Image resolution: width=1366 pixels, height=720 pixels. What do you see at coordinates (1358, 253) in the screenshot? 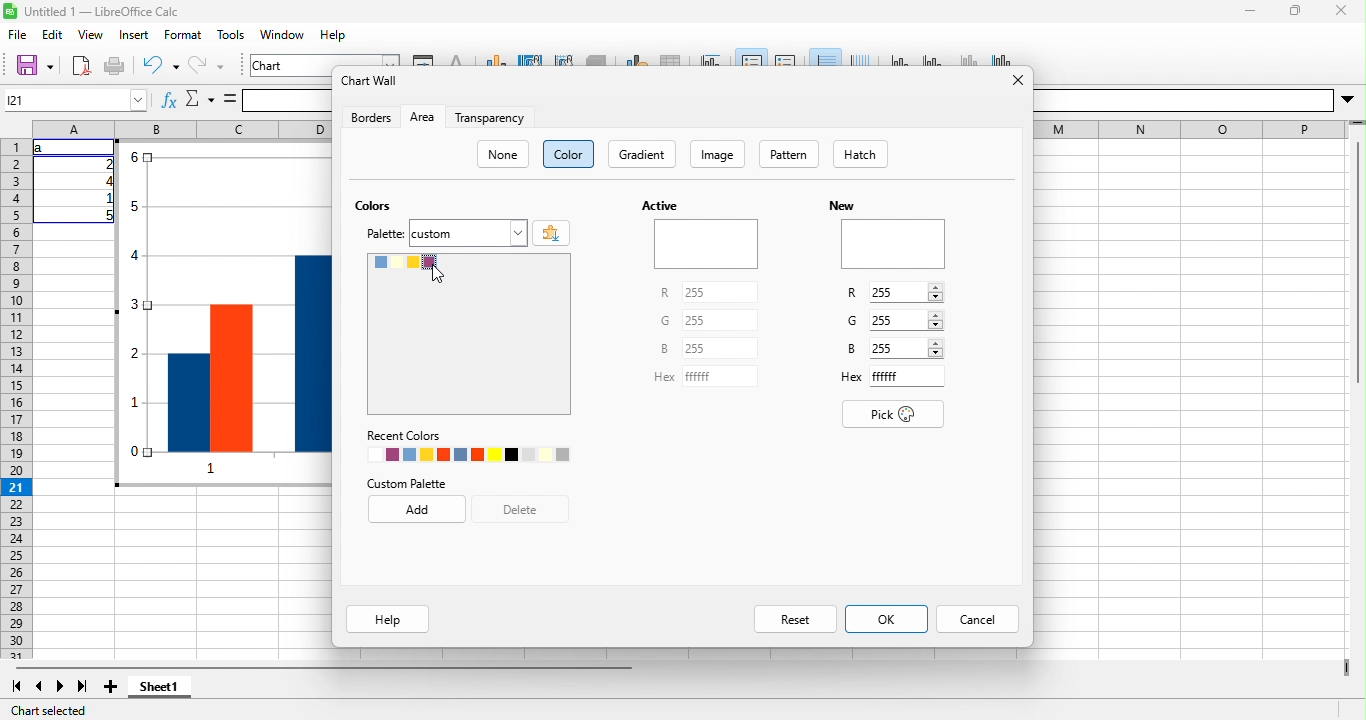
I see `Vertical slide bar` at bounding box center [1358, 253].